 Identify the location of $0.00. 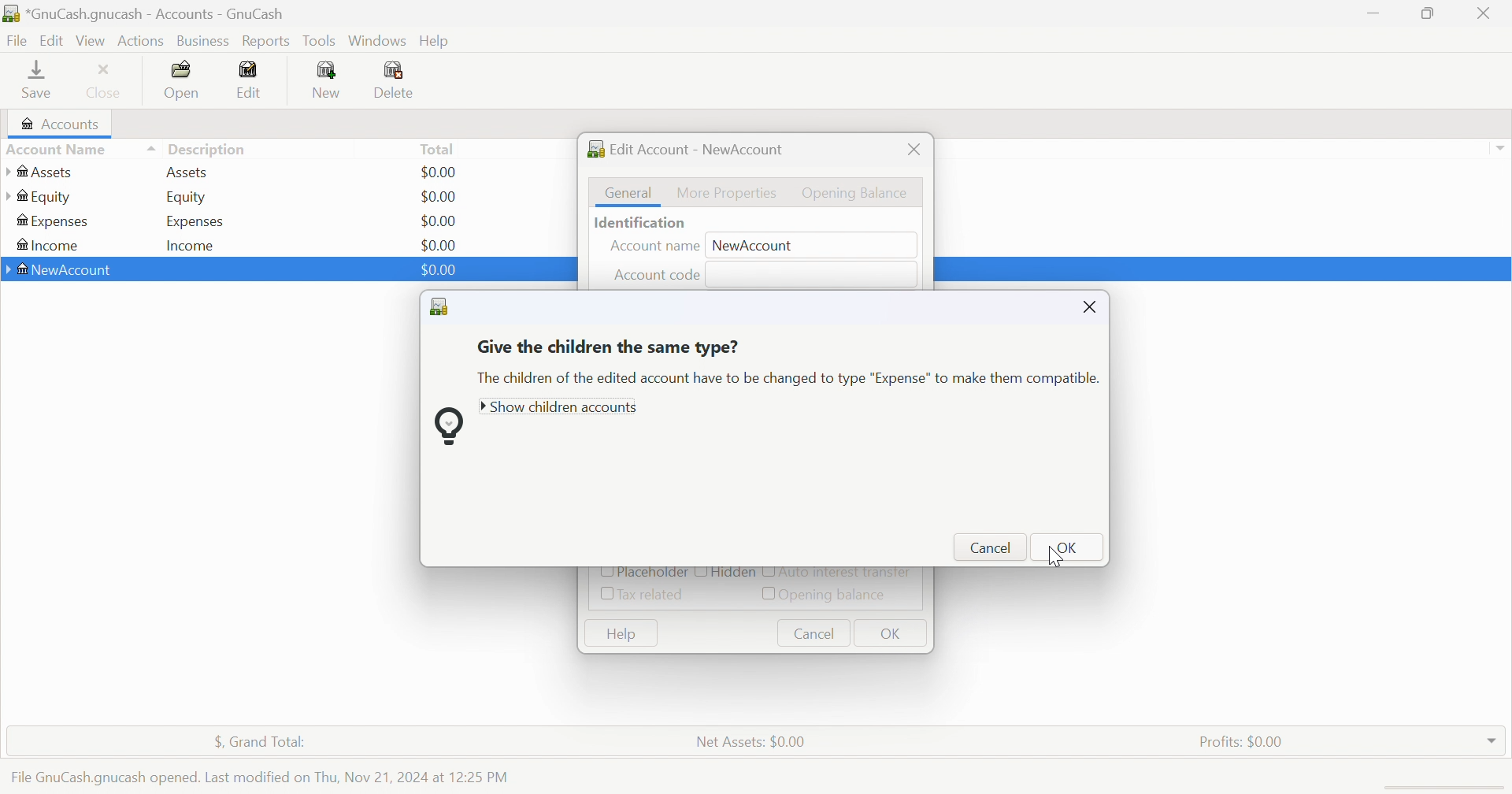
(438, 221).